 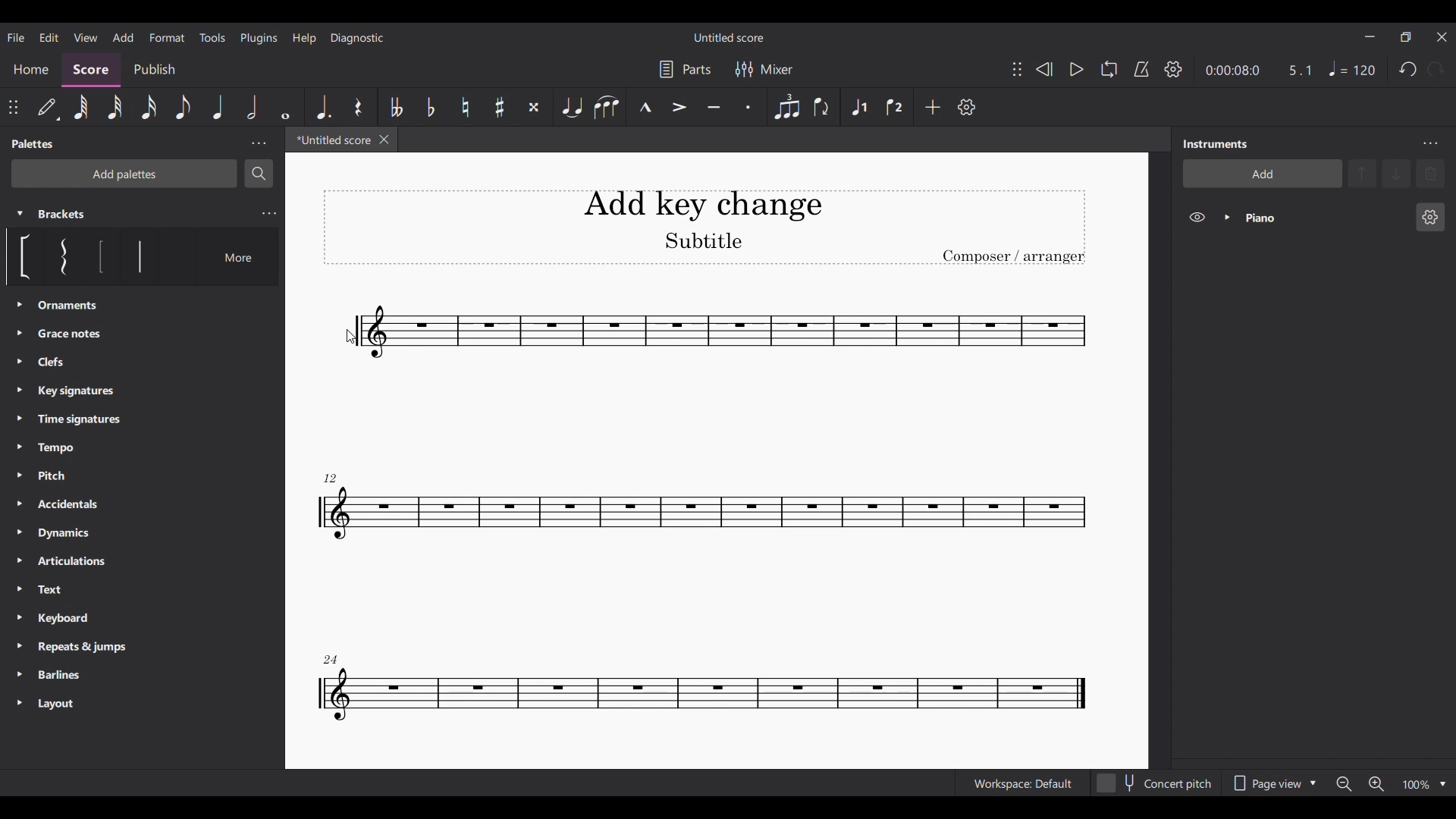 What do you see at coordinates (858, 108) in the screenshot?
I see `Voice 1` at bounding box center [858, 108].